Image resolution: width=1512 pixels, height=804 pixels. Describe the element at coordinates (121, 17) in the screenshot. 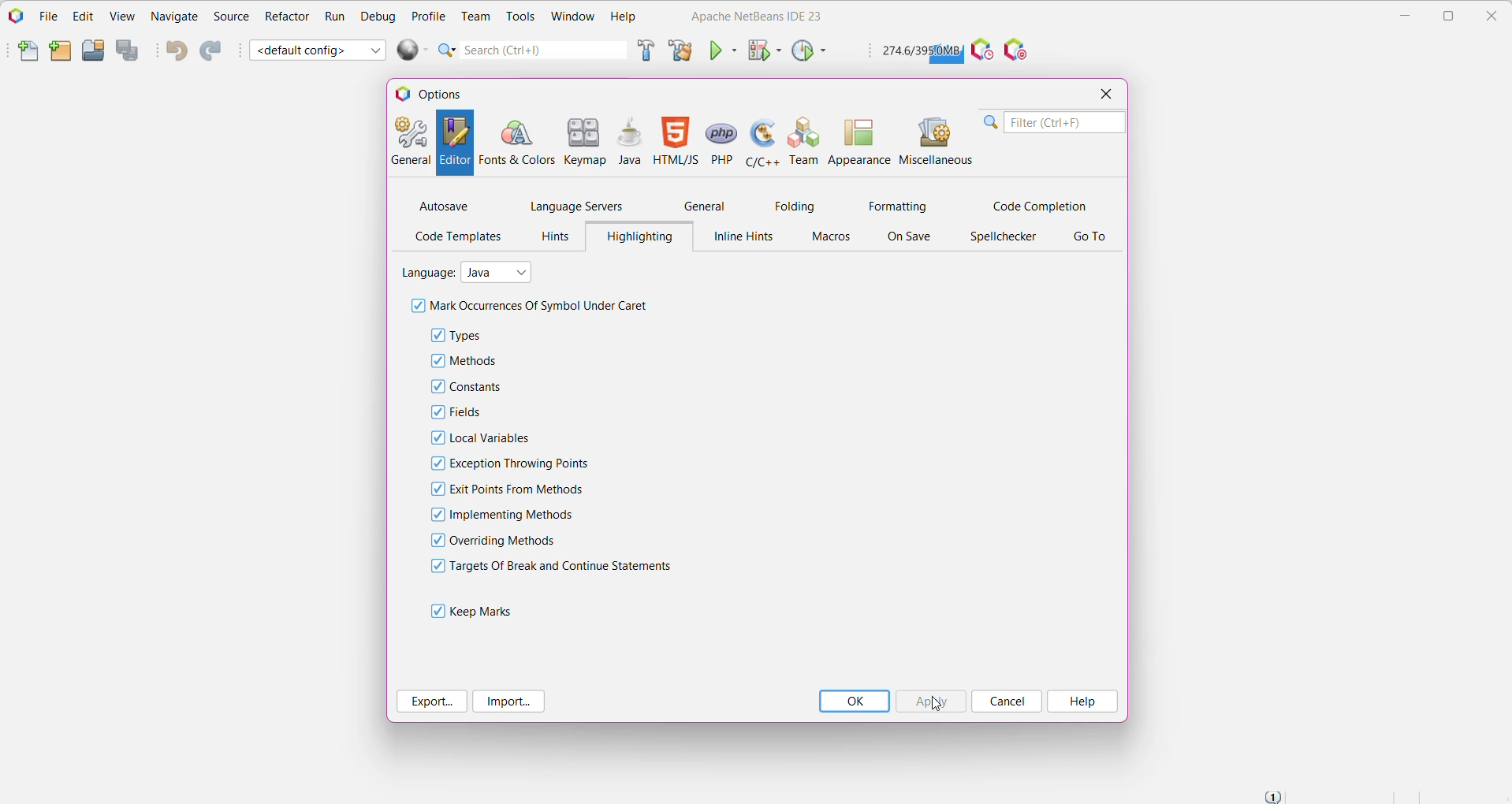

I see `View` at that location.